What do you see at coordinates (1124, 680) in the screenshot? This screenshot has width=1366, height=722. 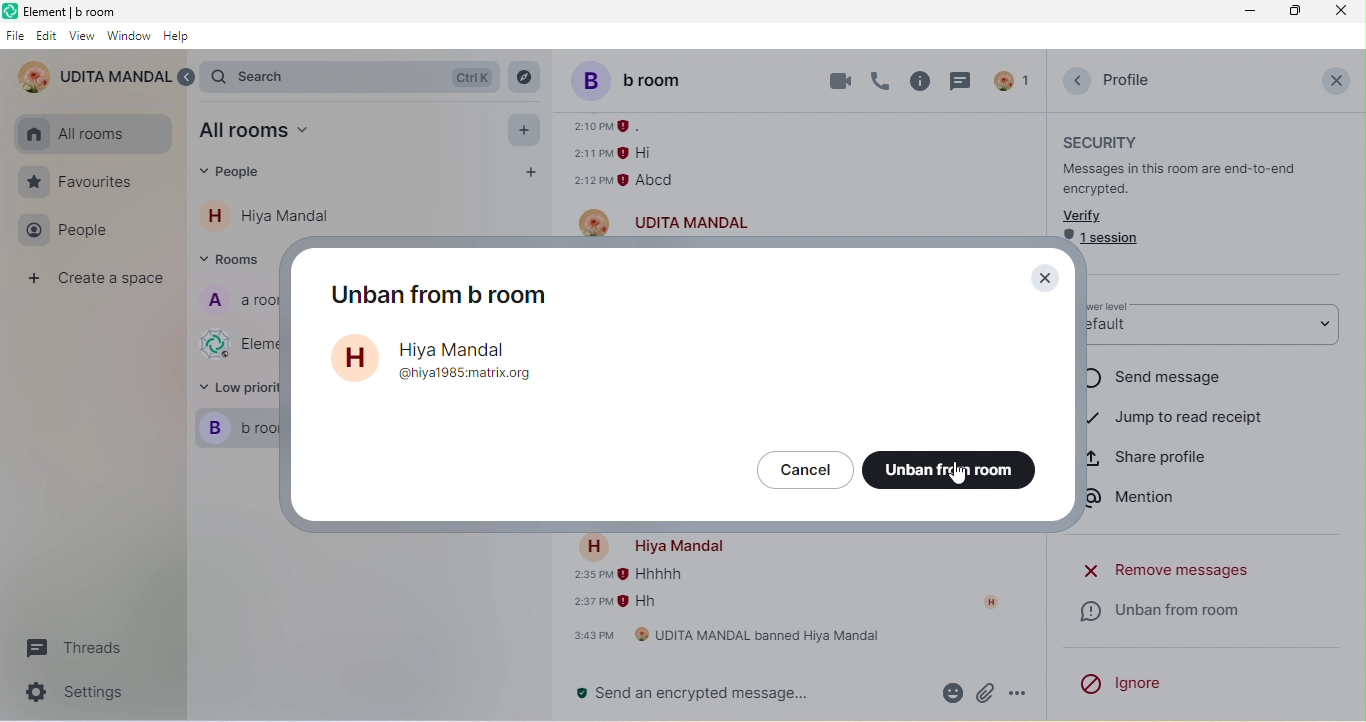 I see `ignore` at bounding box center [1124, 680].